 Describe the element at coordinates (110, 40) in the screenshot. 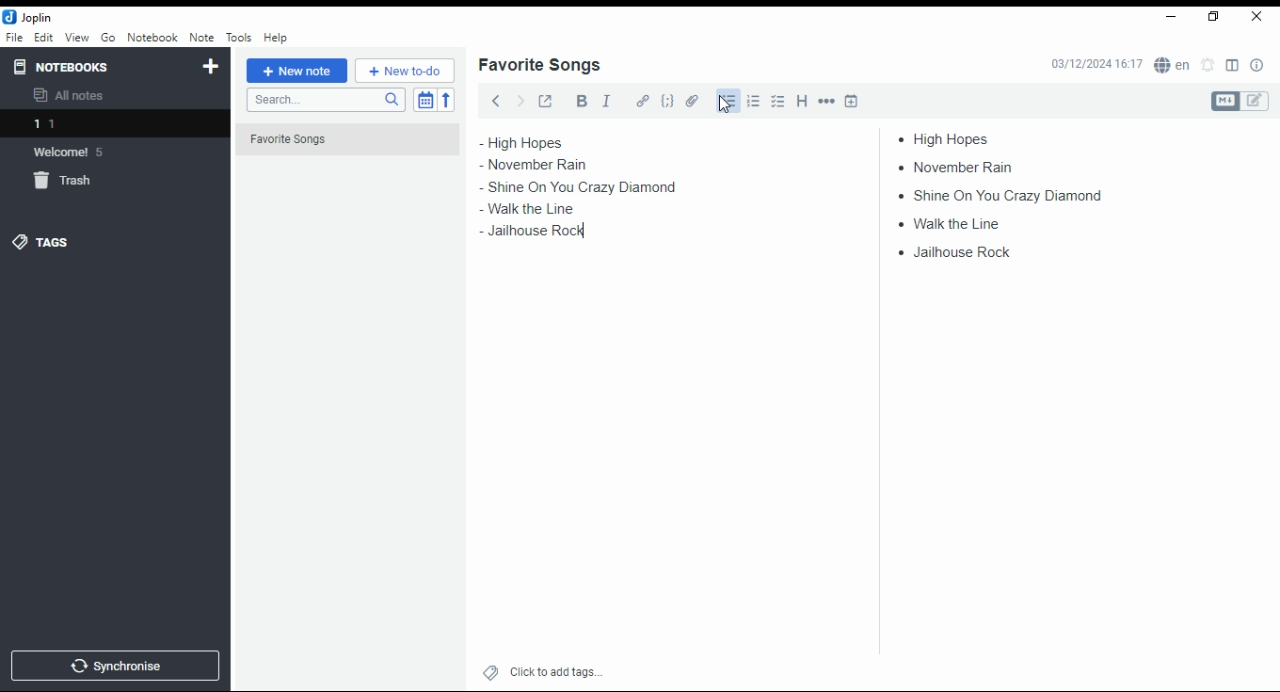

I see `go` at that location.